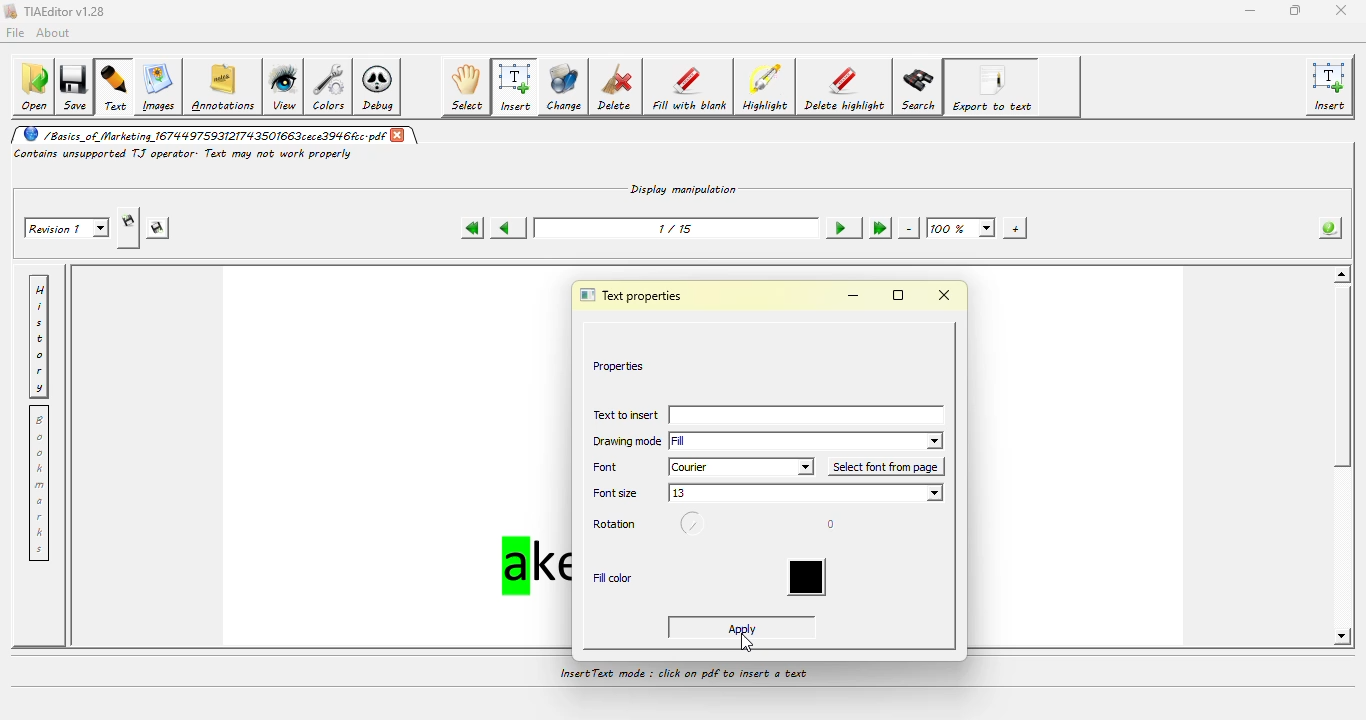 The width and height of the screenshot is (1366, 720). Describe the element at coordinates (685, 187) in the screenshot. I see `Display manipulation` at that location.